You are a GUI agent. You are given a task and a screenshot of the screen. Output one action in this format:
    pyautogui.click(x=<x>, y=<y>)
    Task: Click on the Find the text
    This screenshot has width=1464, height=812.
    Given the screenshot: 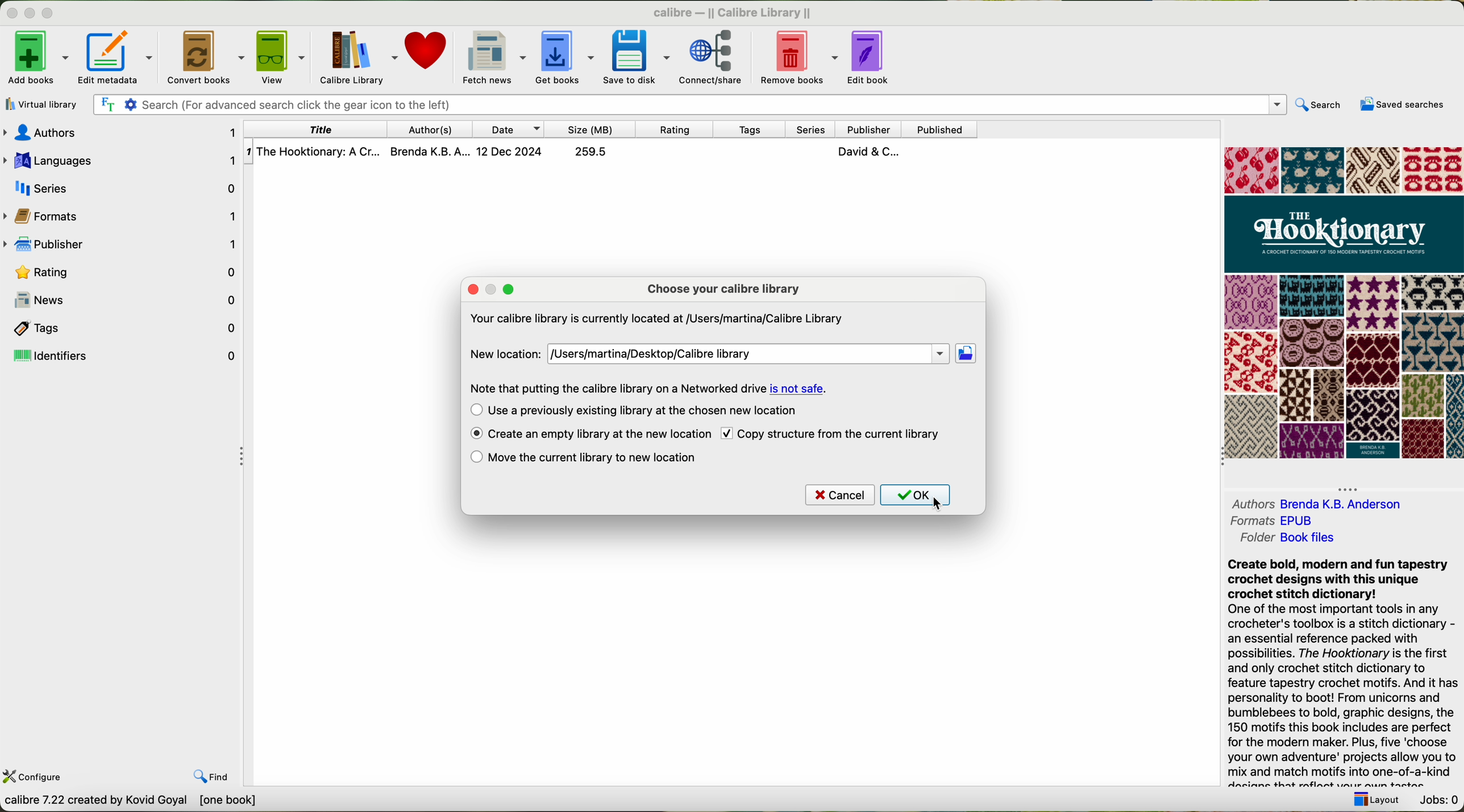 What is the action you would take?
    pyautogui.click(x=106, y=103)
    